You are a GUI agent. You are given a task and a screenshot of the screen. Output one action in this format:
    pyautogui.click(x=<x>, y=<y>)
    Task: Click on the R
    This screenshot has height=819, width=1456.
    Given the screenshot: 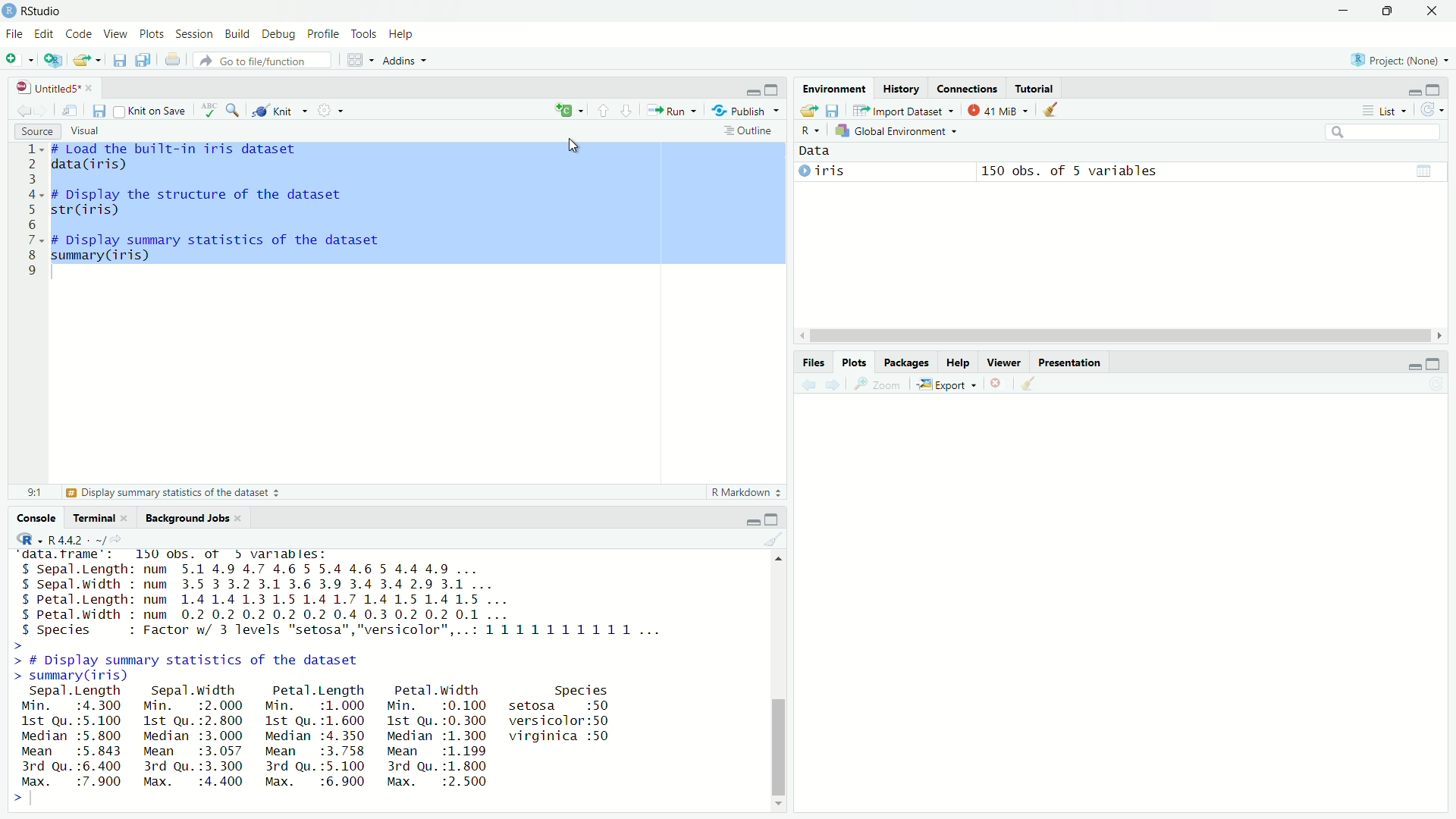 What is the action you would take?
    pyautogui.click(x=811, y=130)
    